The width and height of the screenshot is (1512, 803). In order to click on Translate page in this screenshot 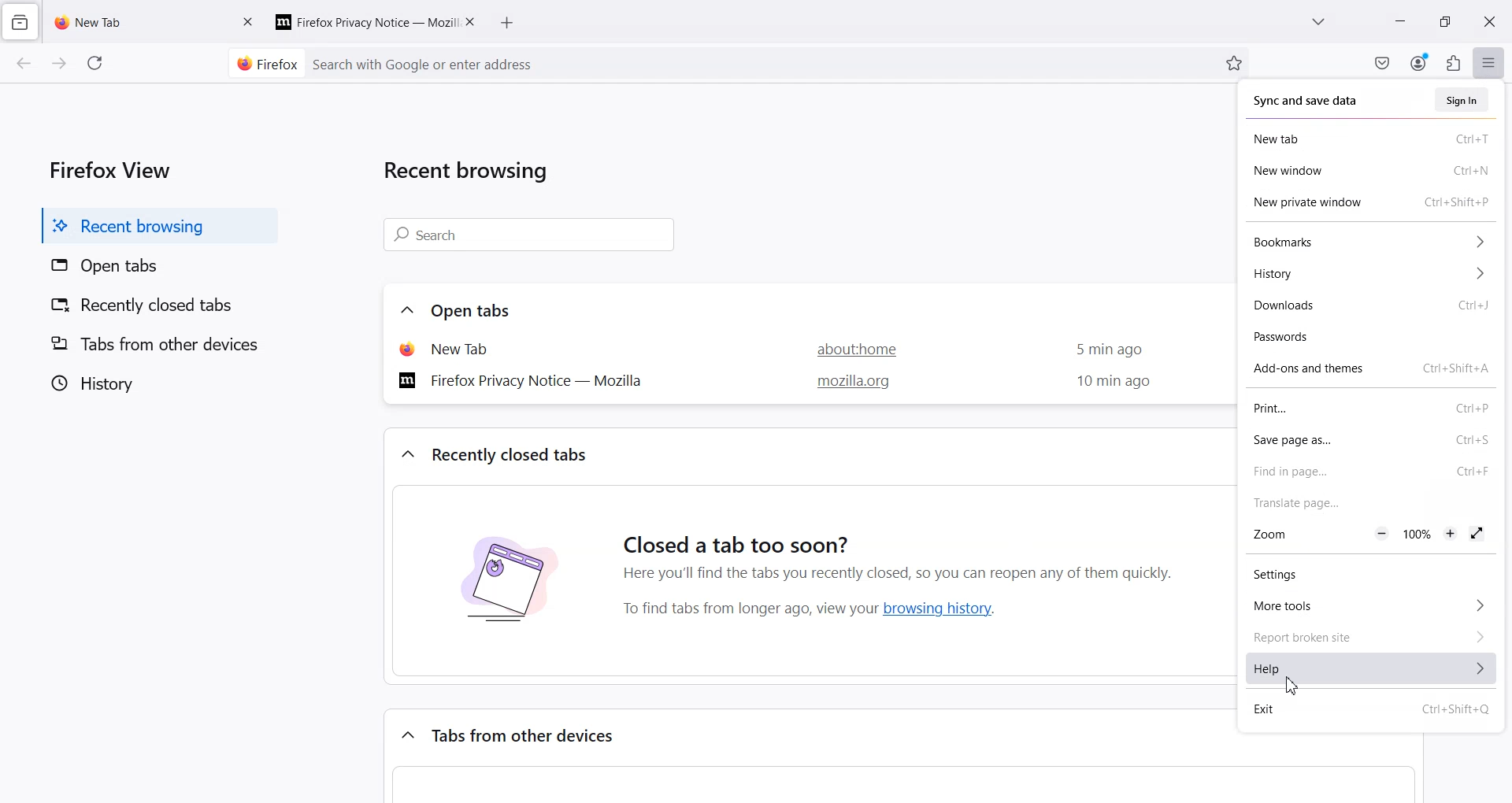, I will do `click(1371, 503)`.